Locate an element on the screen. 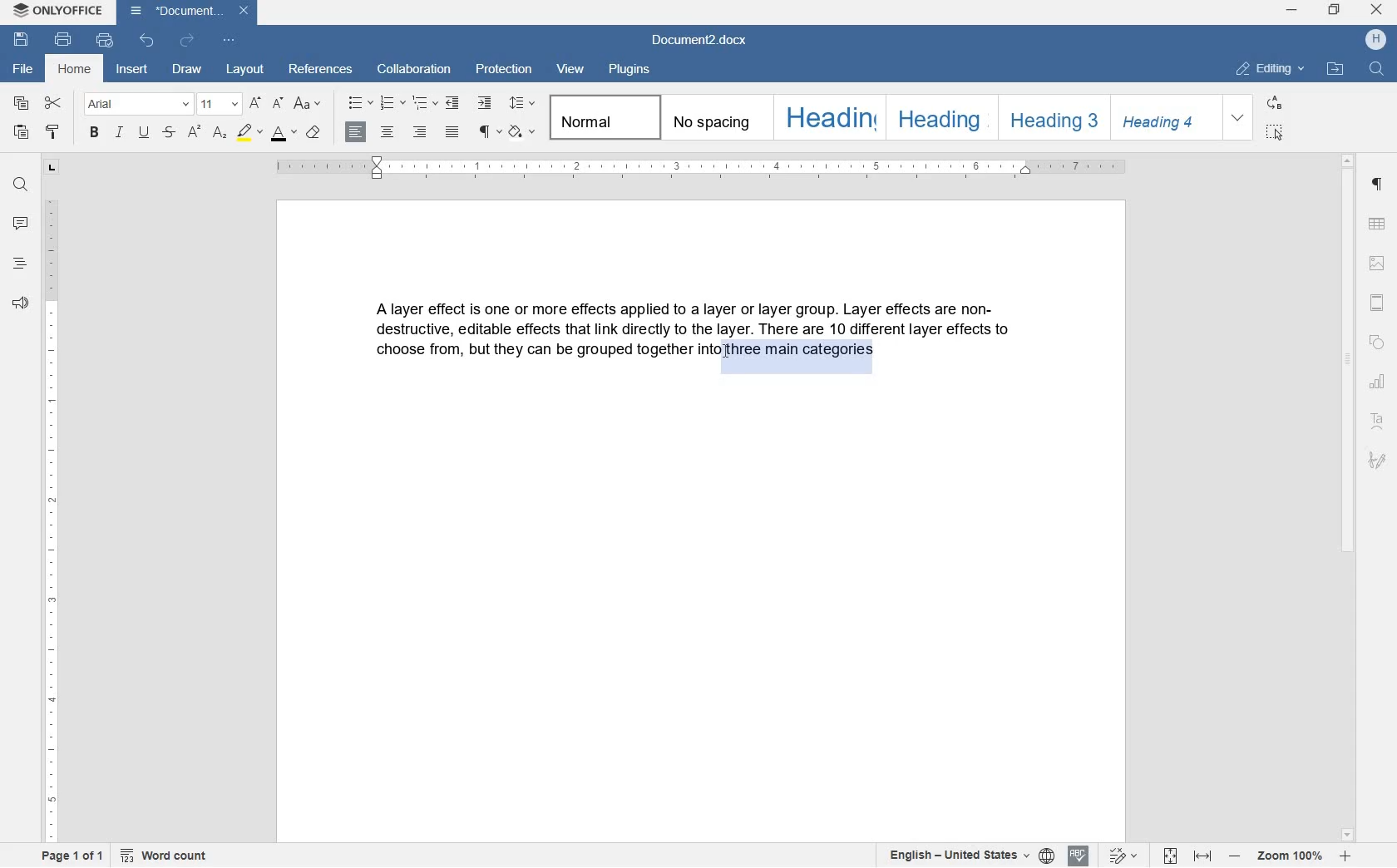  cut is located at coordinates (55, 104).